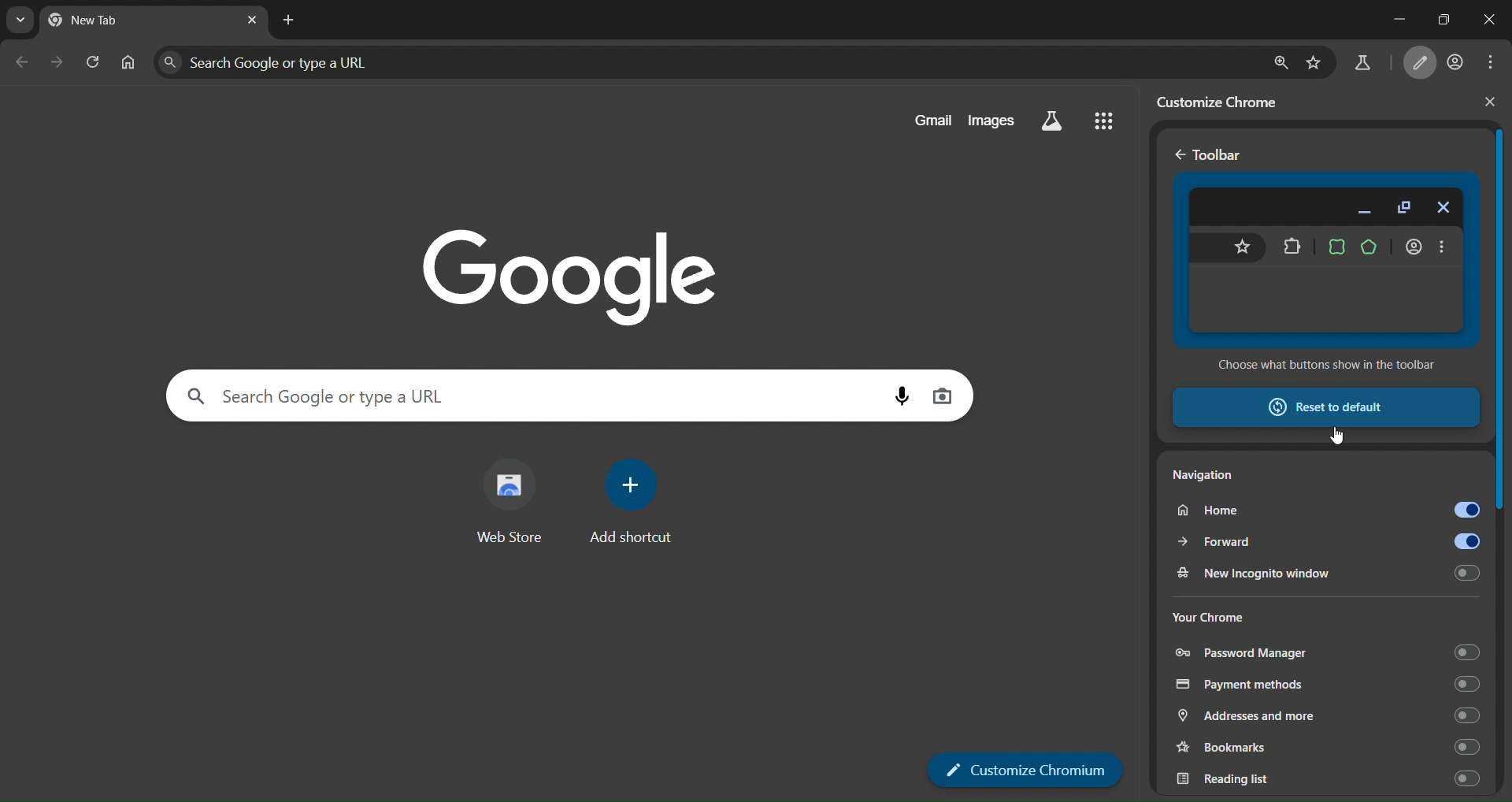 The height and width of the screenshot is (802, 1512). I want to click on search labs, so click(1051, 122).